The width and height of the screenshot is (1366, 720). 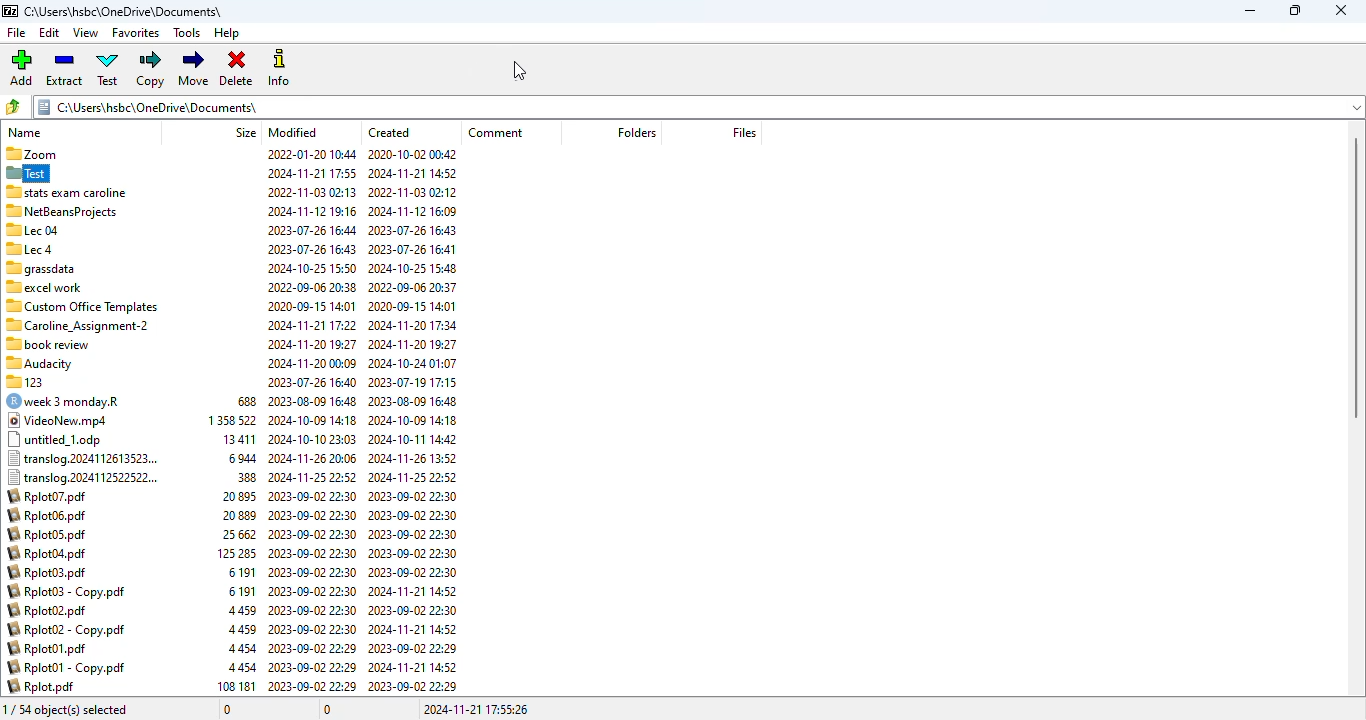 I want to click on 2020-09-15 14:01, so click(x=312, y=306).